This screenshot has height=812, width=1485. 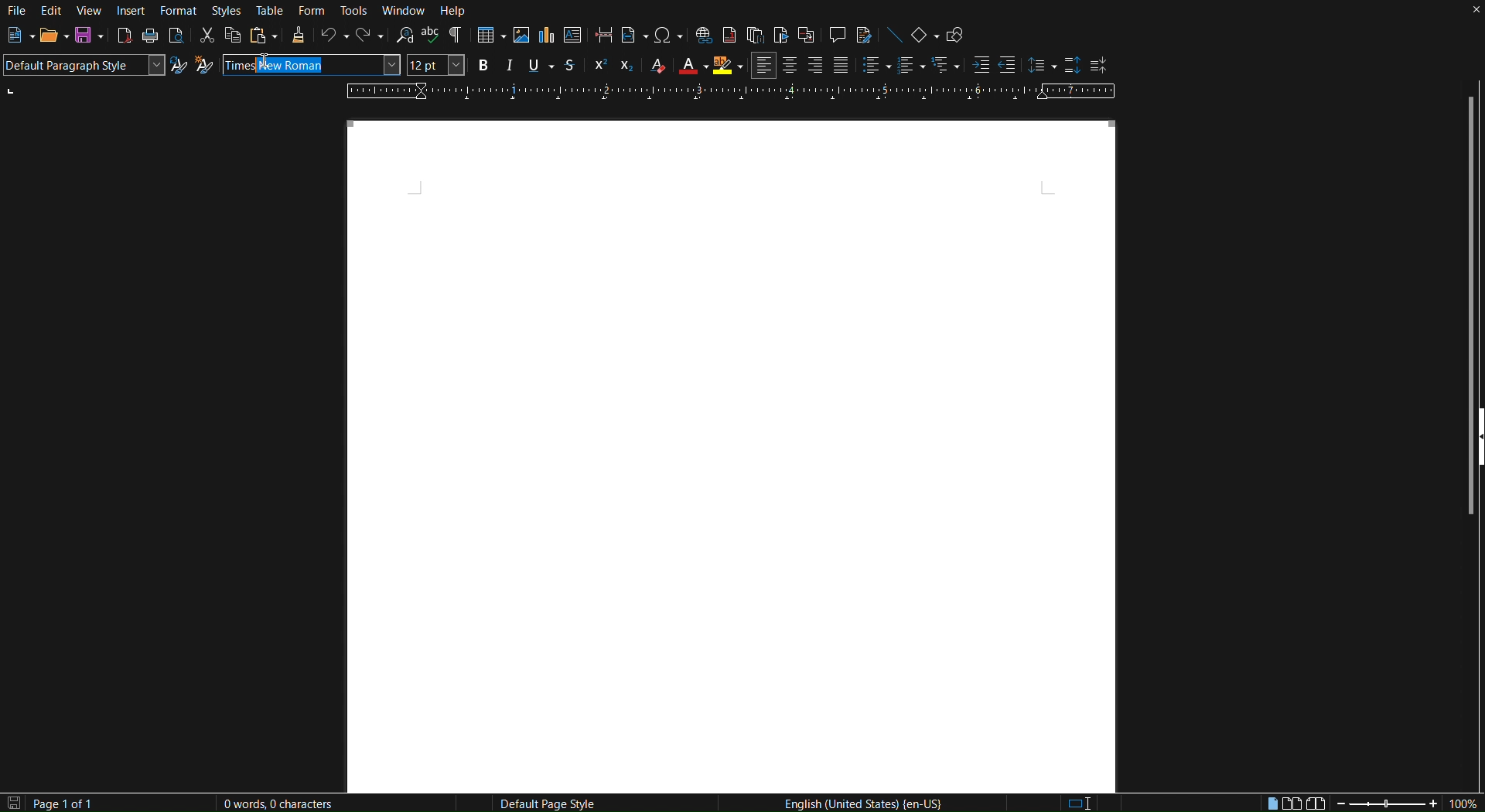 What do you see at coordinates (551, 804) in the screenshot?
I see `Default Page Style` at bounding box center [551, 804].